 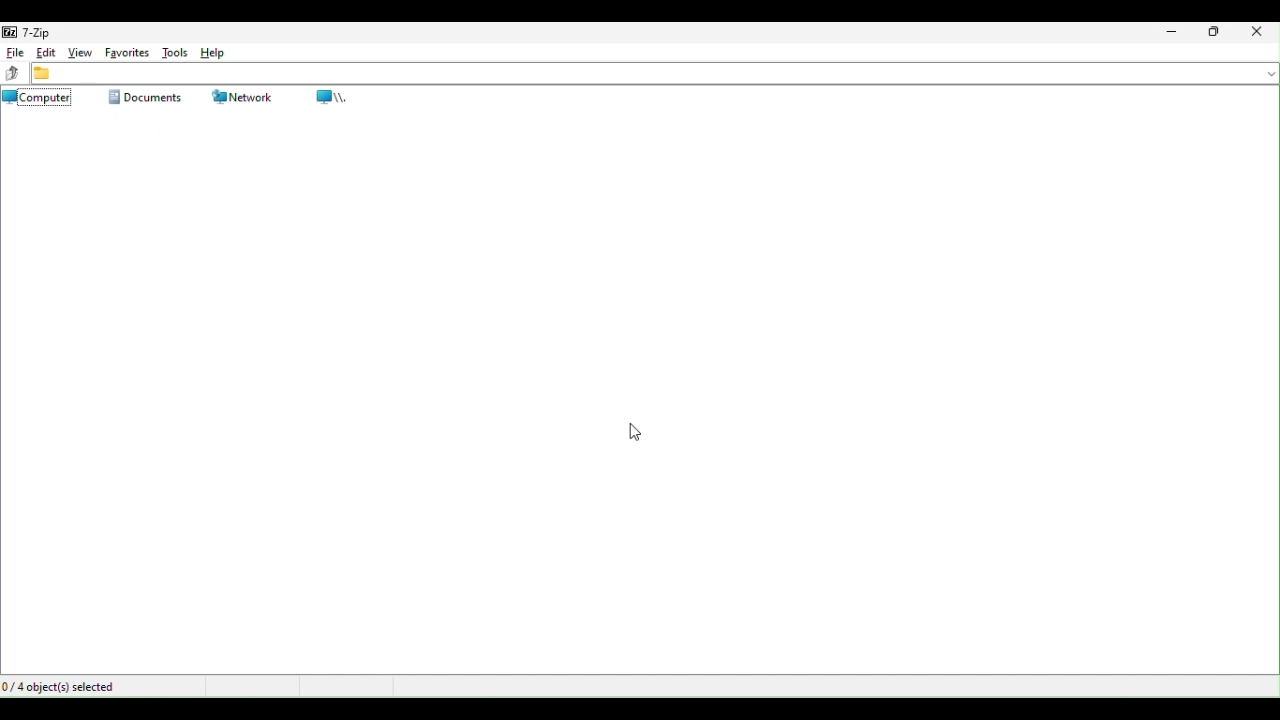 I want to click on favourite, so click(x=125, y=53).